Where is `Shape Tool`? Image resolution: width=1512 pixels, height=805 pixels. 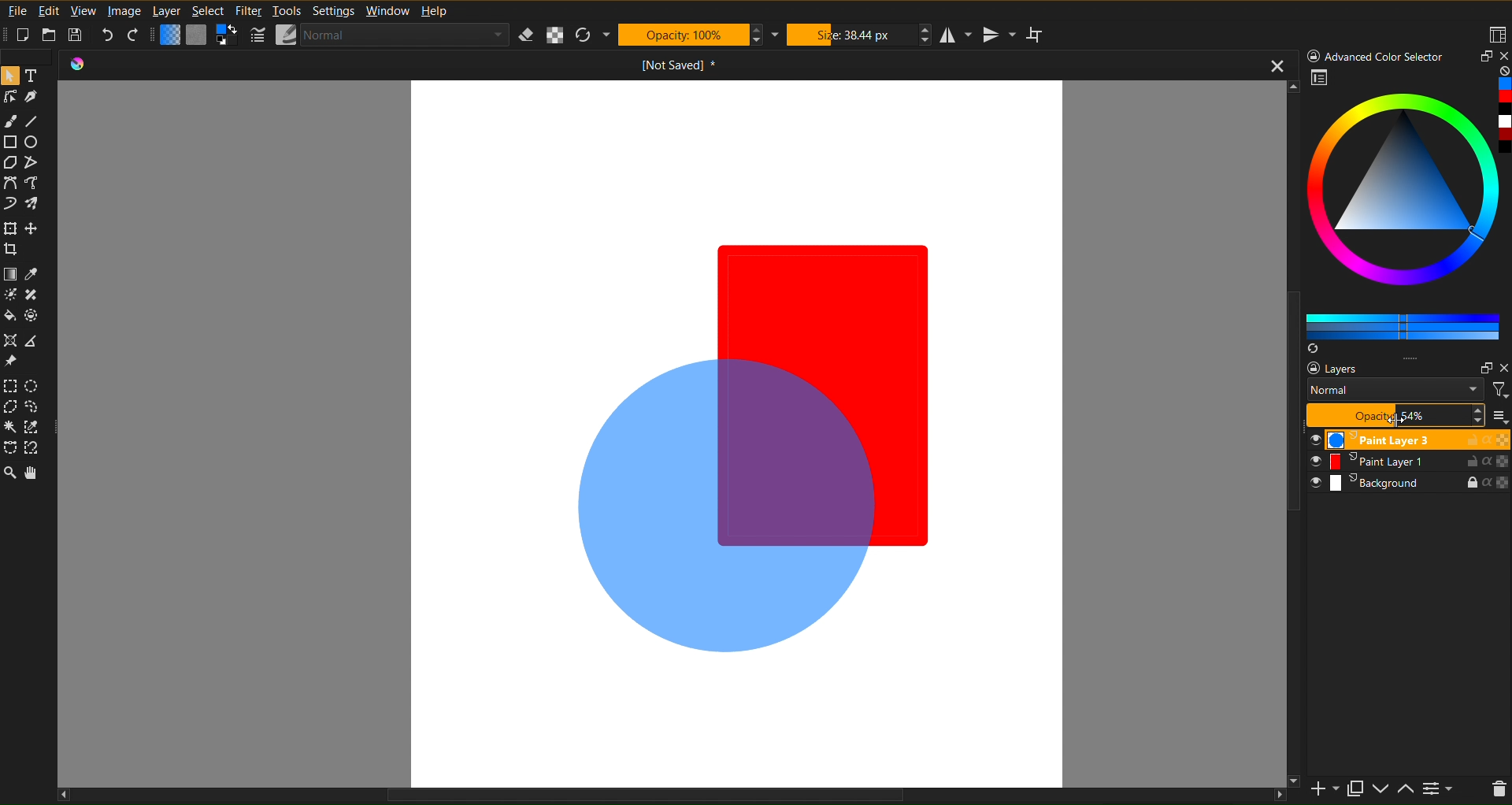
Shape Tool is located at coordinates (36, 165).